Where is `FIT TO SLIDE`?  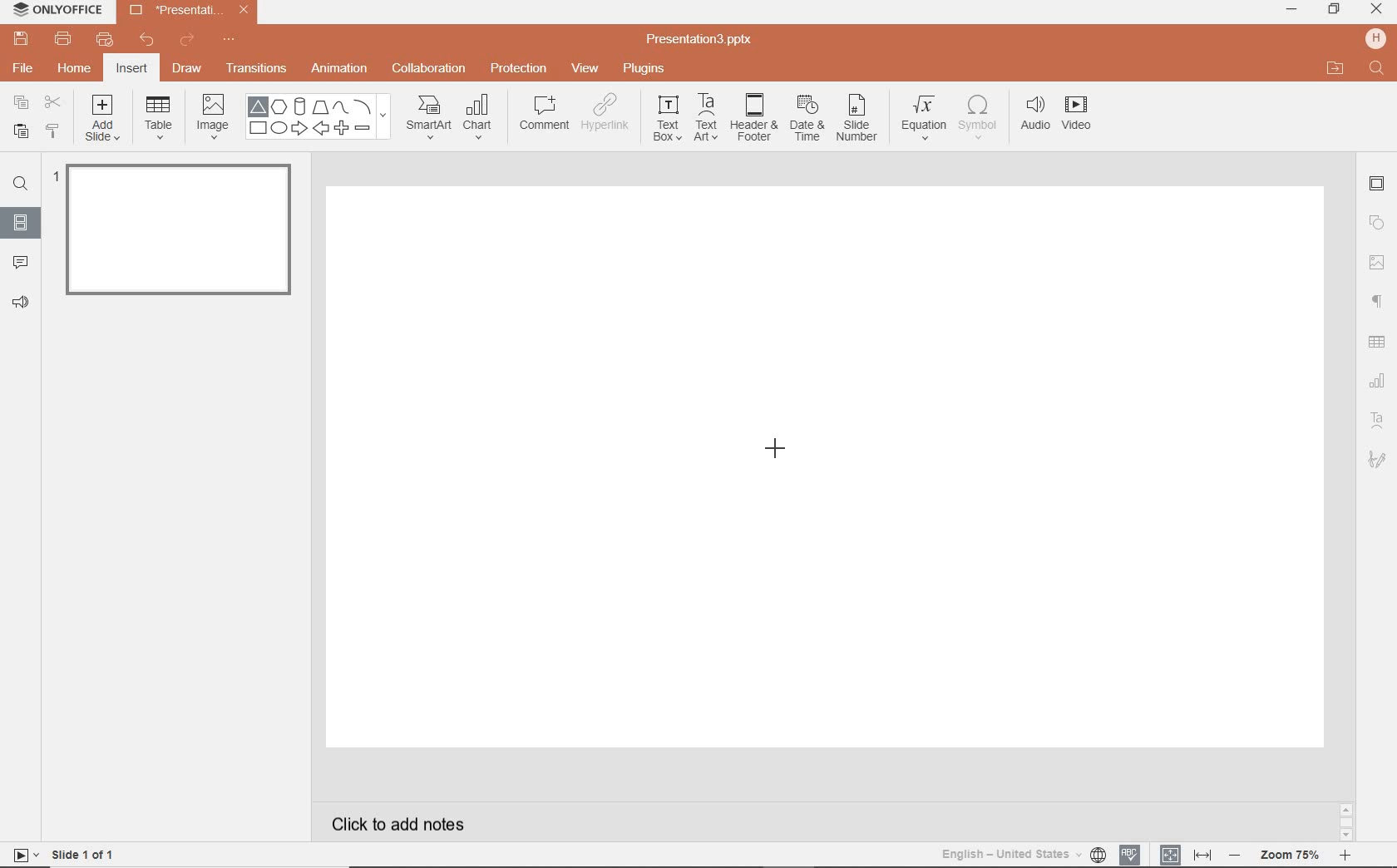
FIT TO SLIDE is located at coordinates (1169, 856).